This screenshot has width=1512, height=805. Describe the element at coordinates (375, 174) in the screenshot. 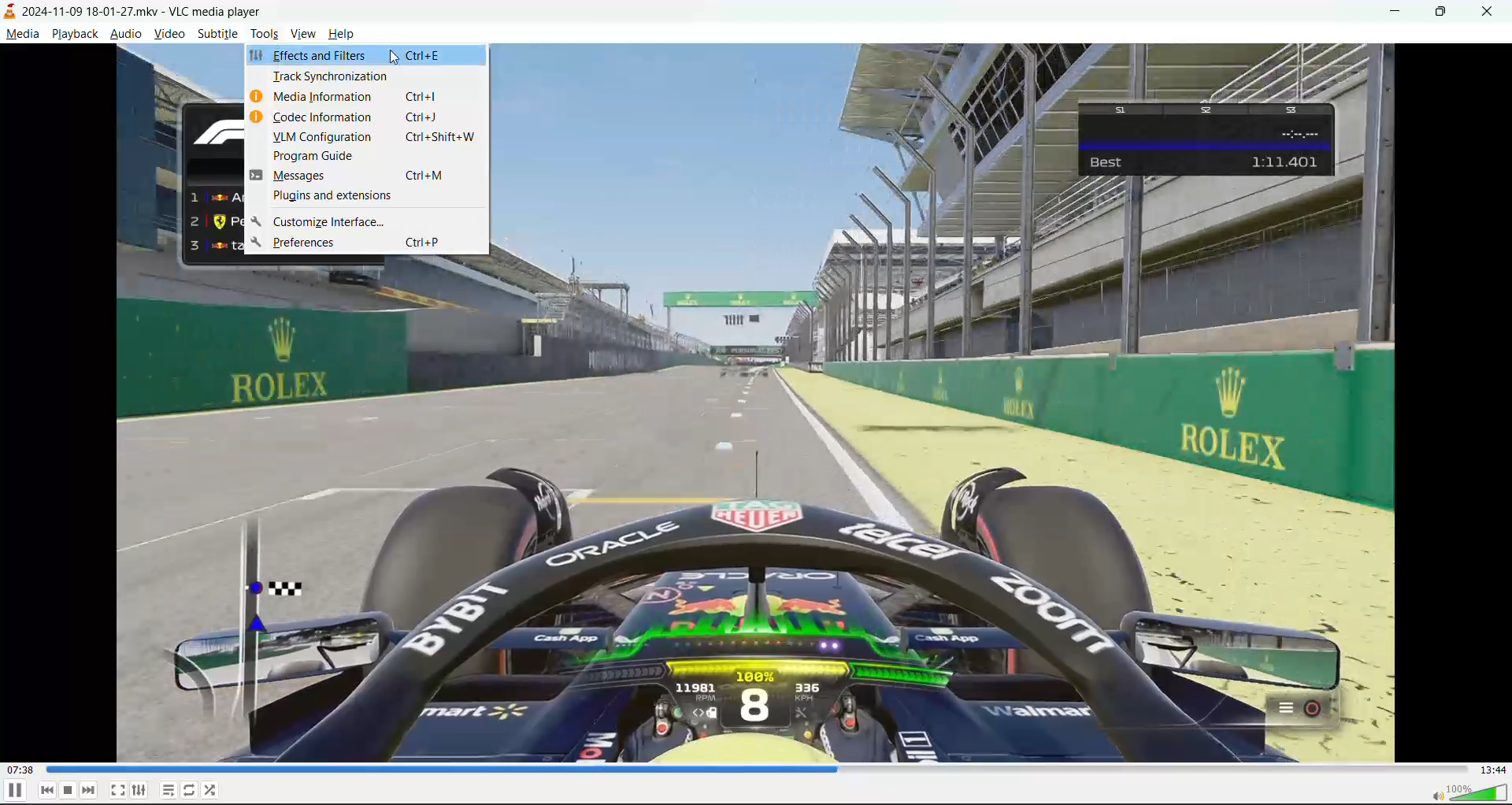

I see `messages` at that location.